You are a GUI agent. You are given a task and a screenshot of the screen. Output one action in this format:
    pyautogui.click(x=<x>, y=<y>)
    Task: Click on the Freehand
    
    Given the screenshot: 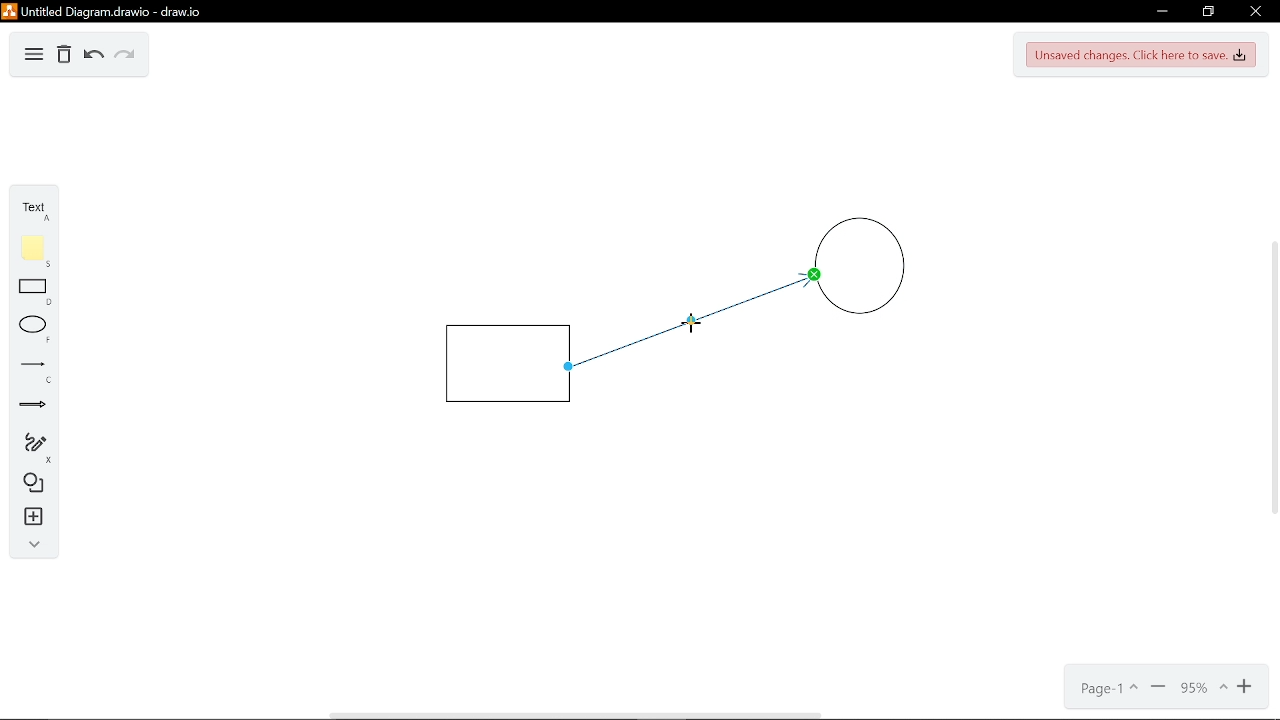 What is the action you would take?
    pyautogui.click(x=28, y=445)
    